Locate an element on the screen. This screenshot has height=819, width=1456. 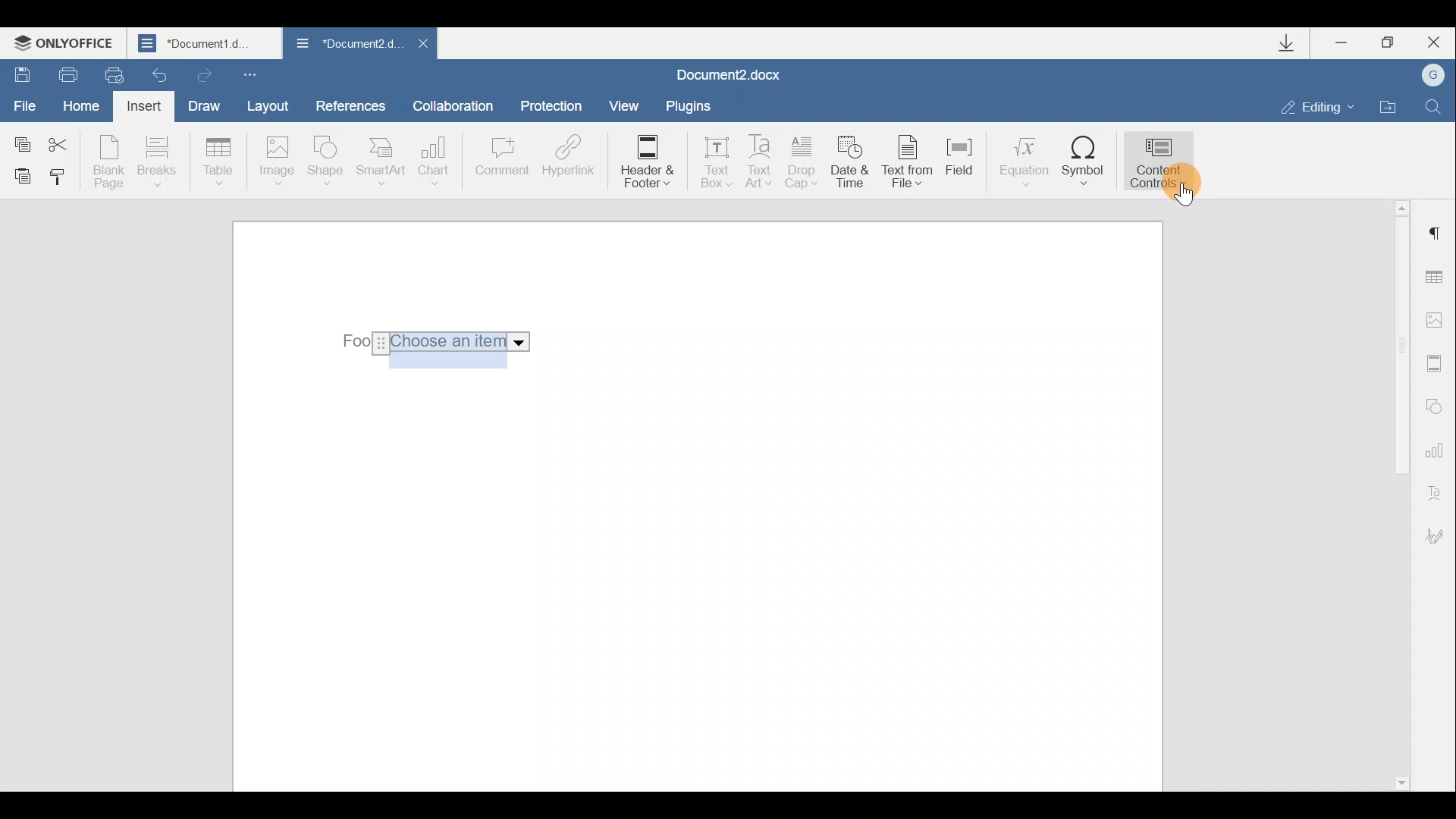
Save is located at coordinates (17, 73).